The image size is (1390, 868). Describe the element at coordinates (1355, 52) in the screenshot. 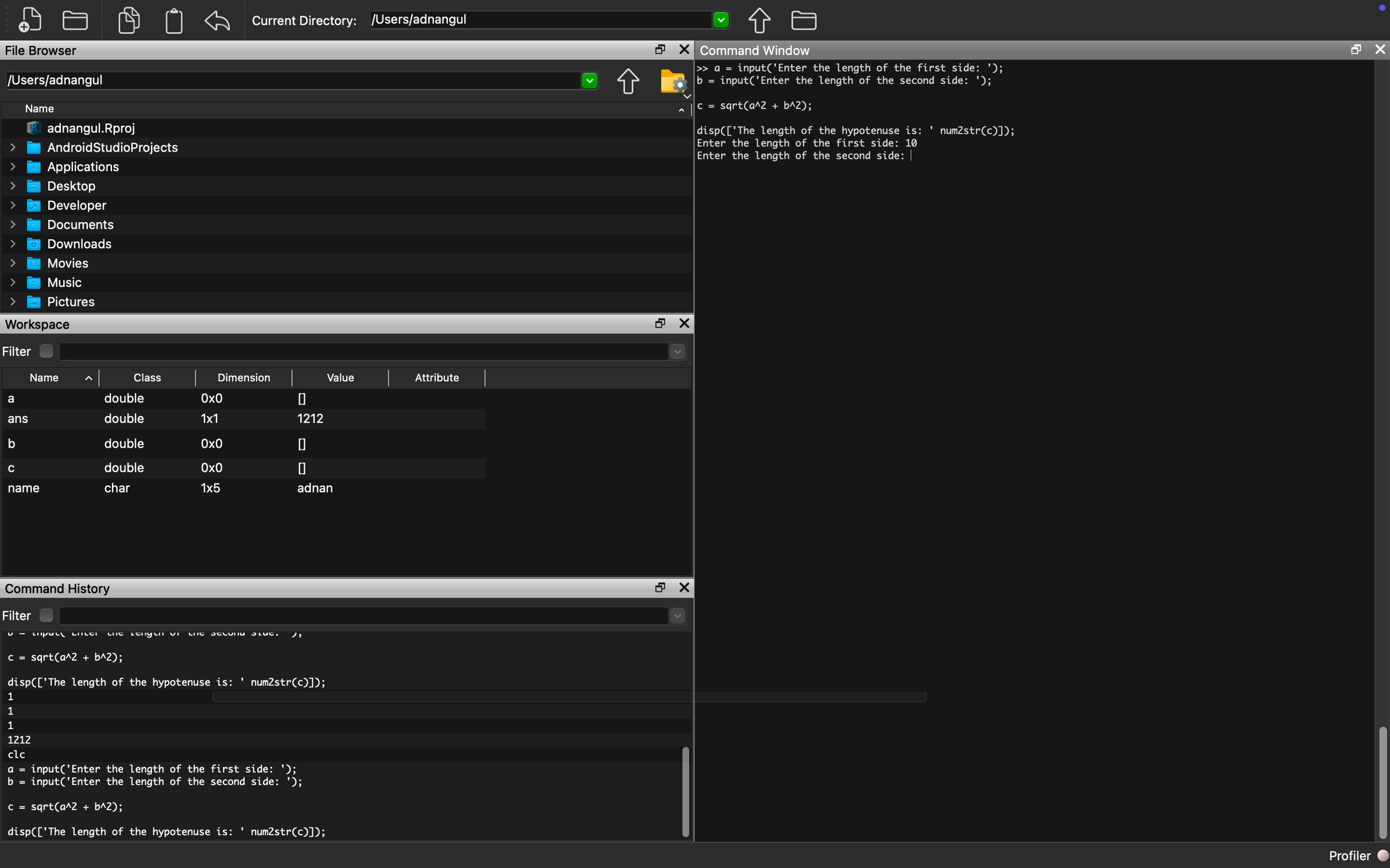

I see `restore down` at that location.